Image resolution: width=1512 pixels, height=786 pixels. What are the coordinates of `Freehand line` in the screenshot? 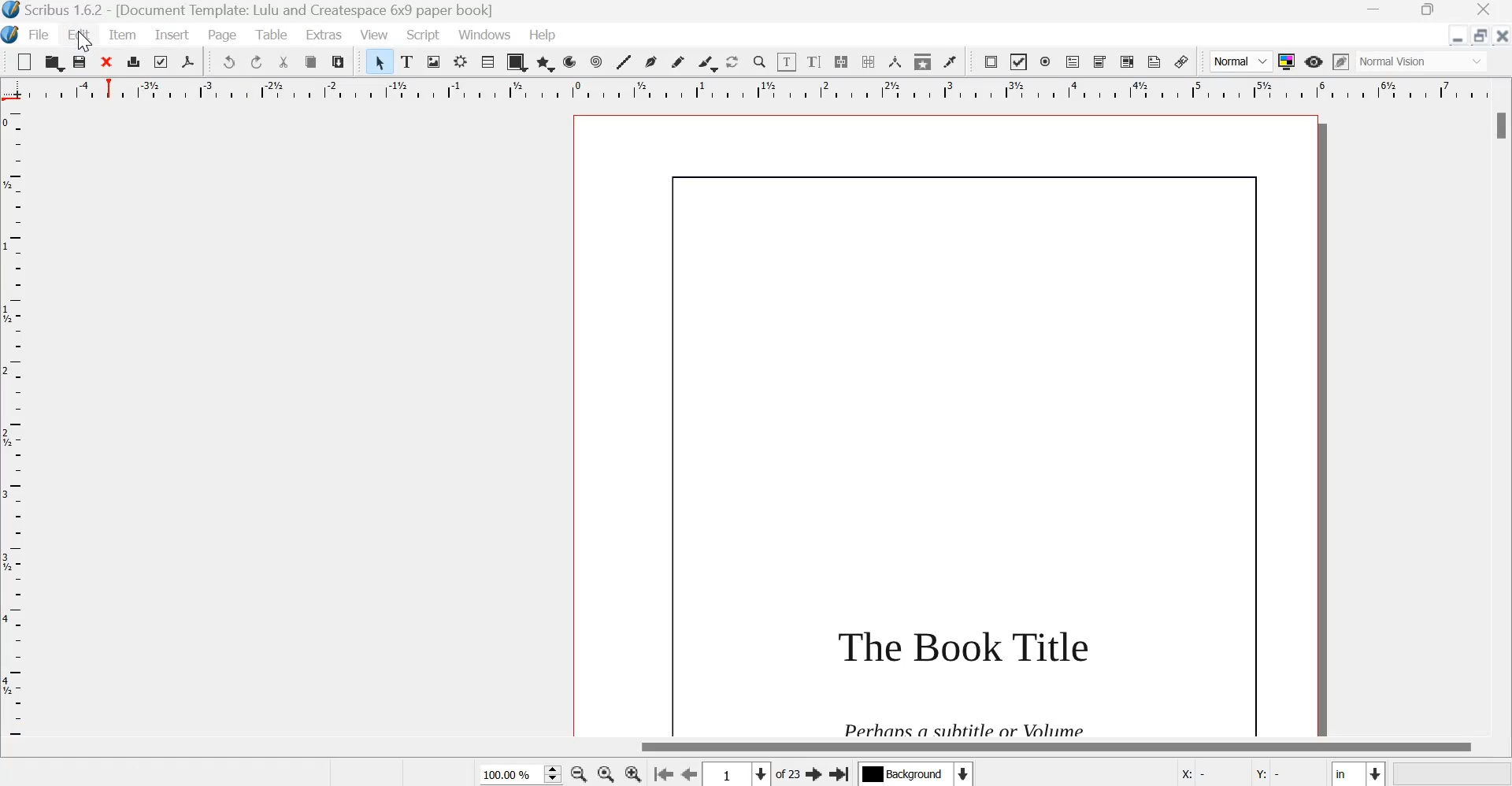 It's located at (679, 62).